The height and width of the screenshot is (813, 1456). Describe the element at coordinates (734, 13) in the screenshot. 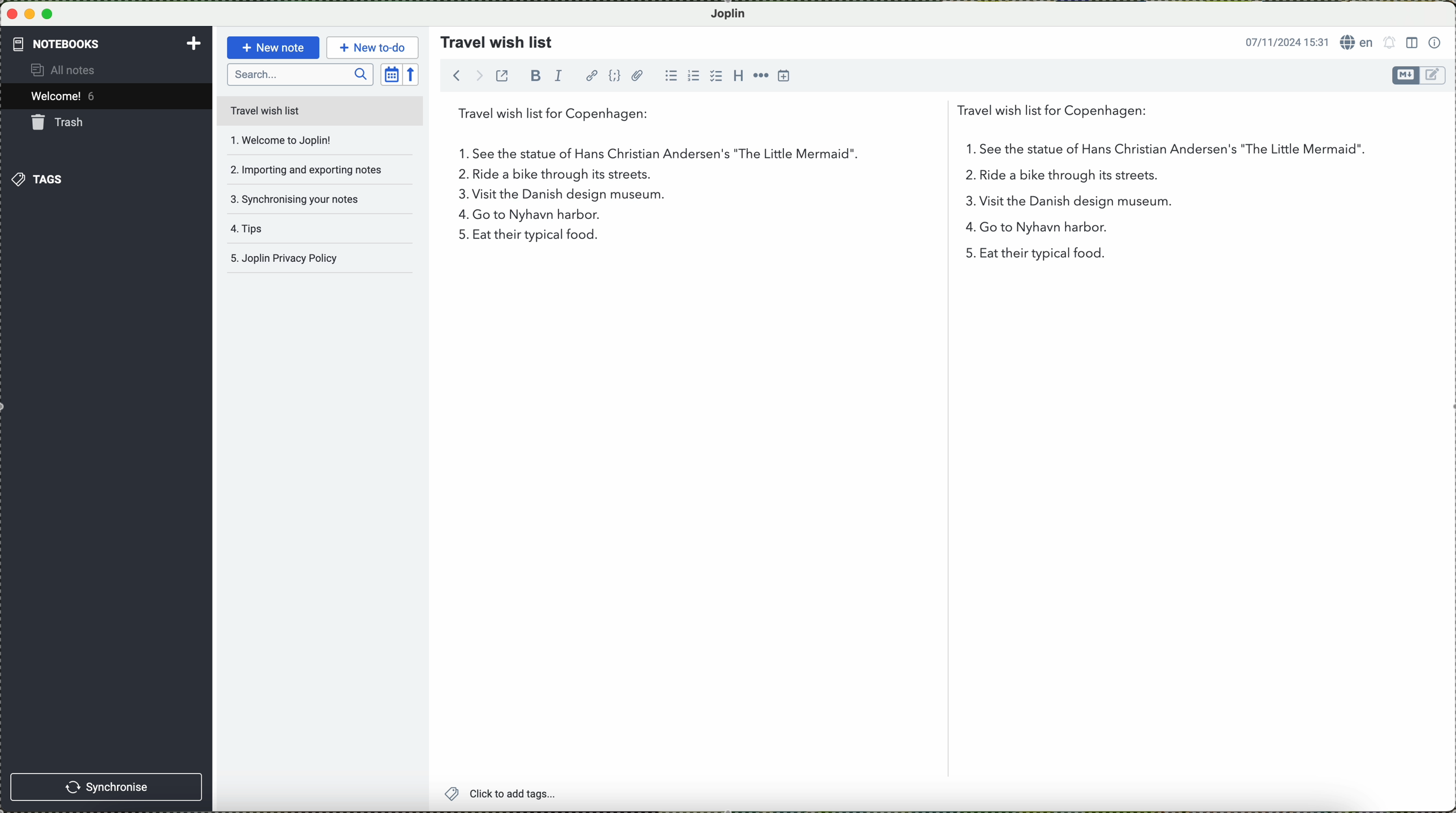

I see `Joplin` at that location.